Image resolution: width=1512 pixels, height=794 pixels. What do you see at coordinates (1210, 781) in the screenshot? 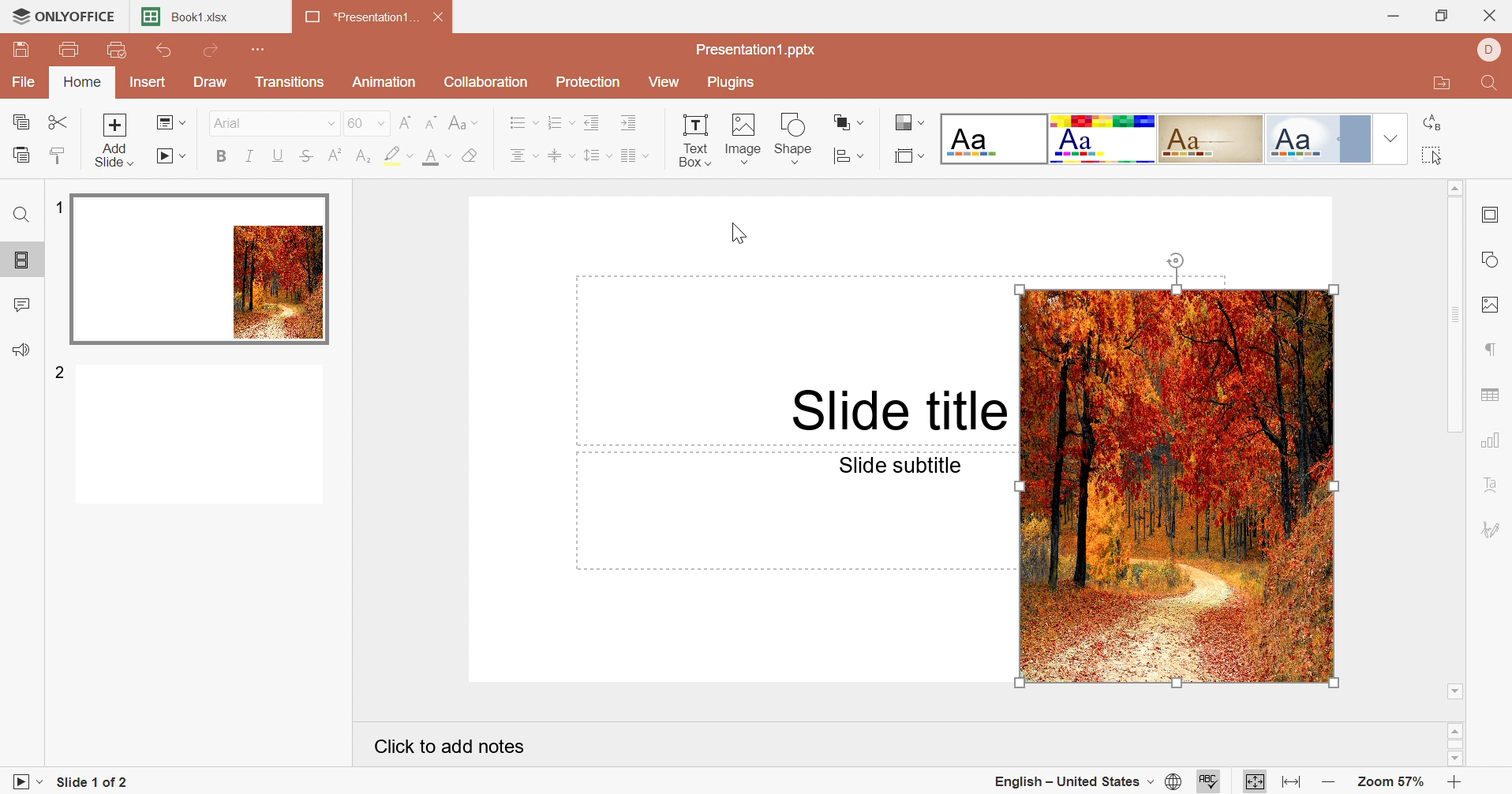
I see `Check Spelling` at bounding box center [1210, 781].